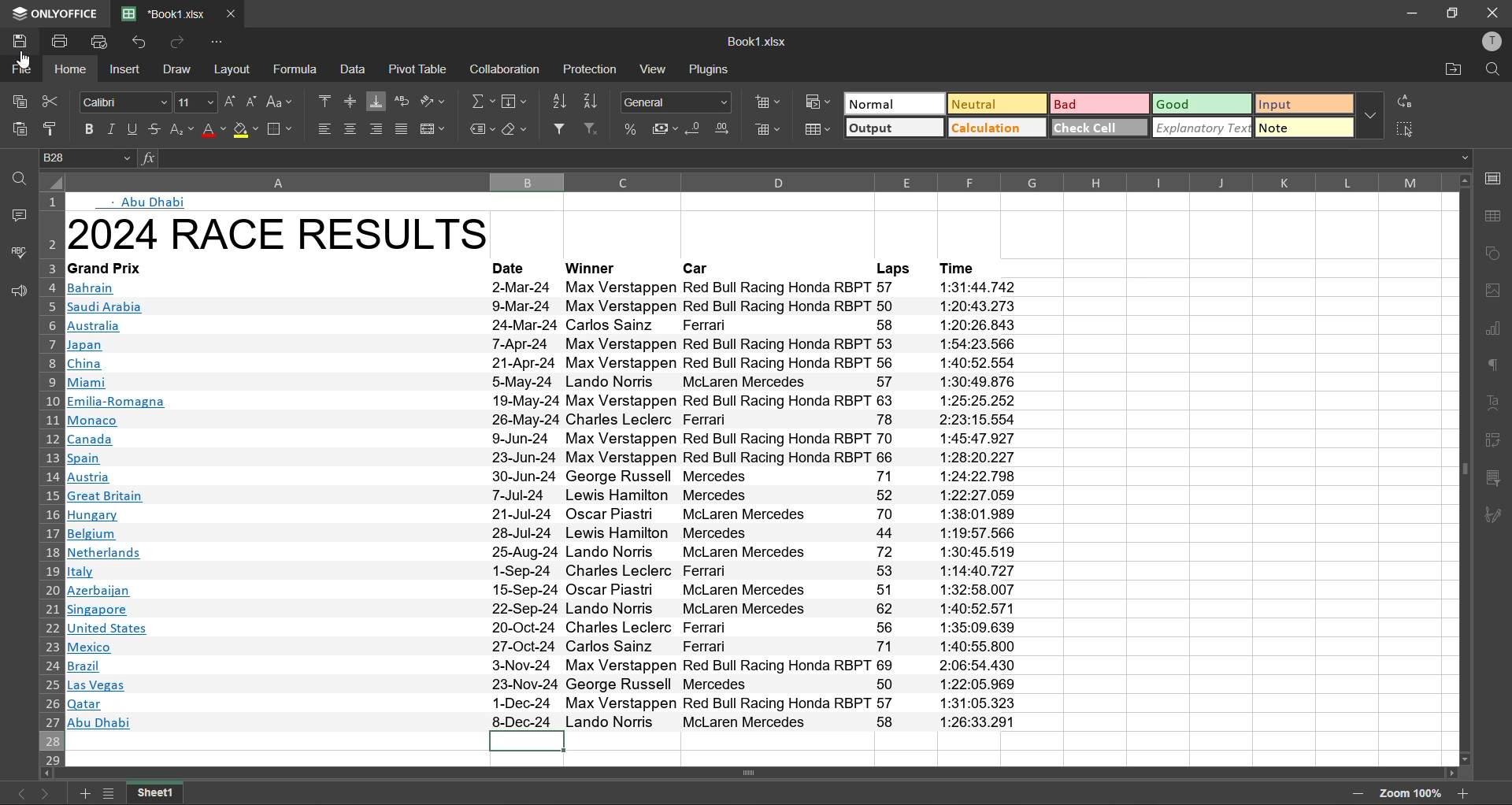 Image resolution: width=1512 pixels, height=805 pixels. Describe the element at coordinates (183, 72) in the screenshot. I see `draw` at that location.